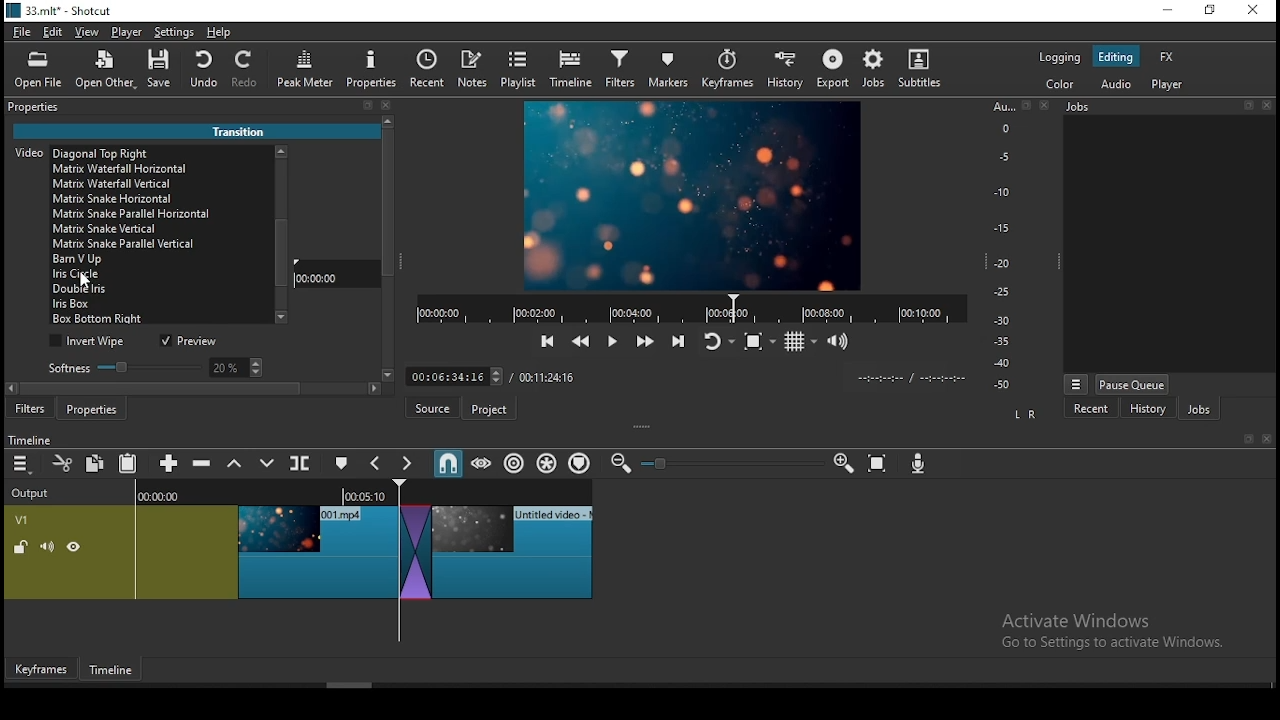 The width and height of the screenshot is (1280, 720). Describe the element at coordinates (90, 34) in the screenshot. I see `view` at that location.